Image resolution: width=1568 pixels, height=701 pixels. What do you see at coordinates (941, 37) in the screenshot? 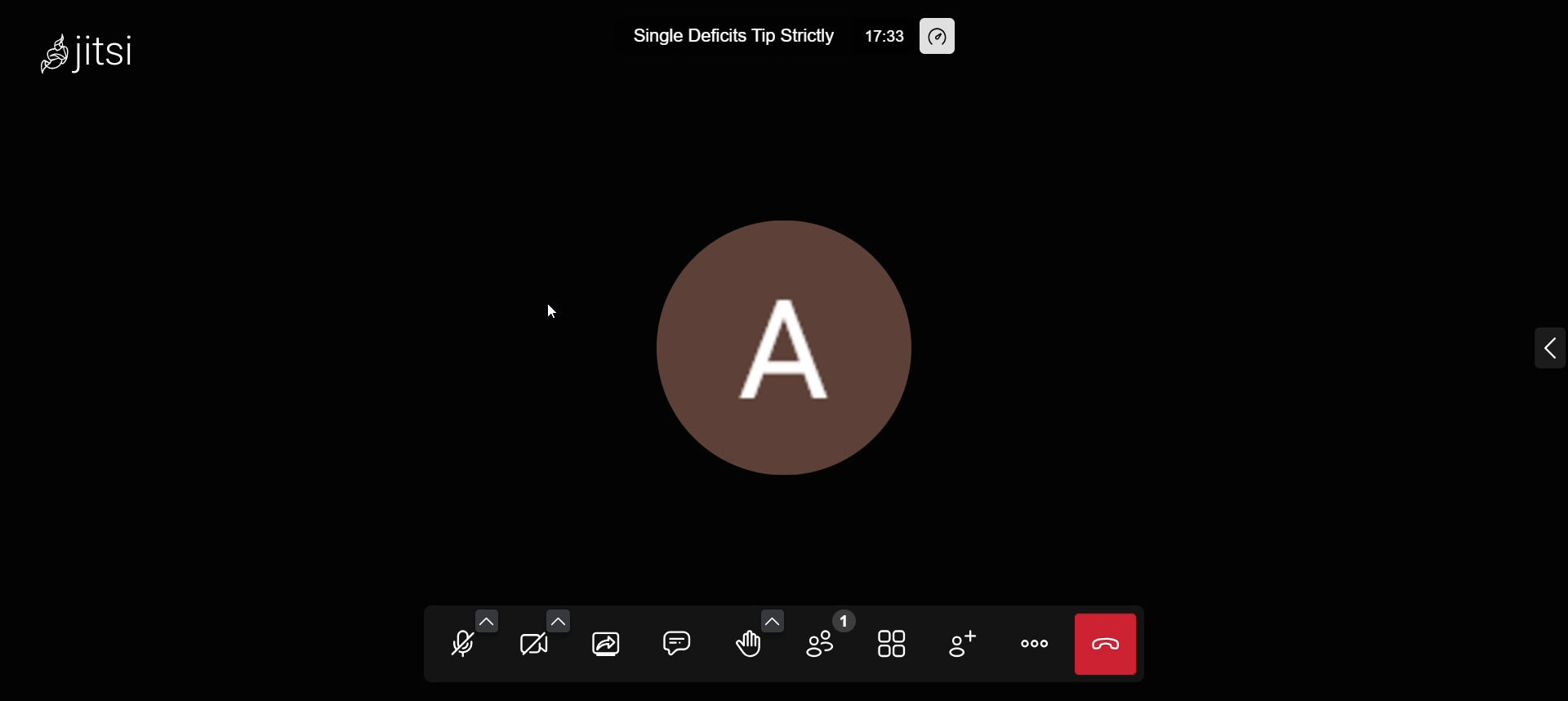
I see `Performance setting` at bounding box center [941, 37].